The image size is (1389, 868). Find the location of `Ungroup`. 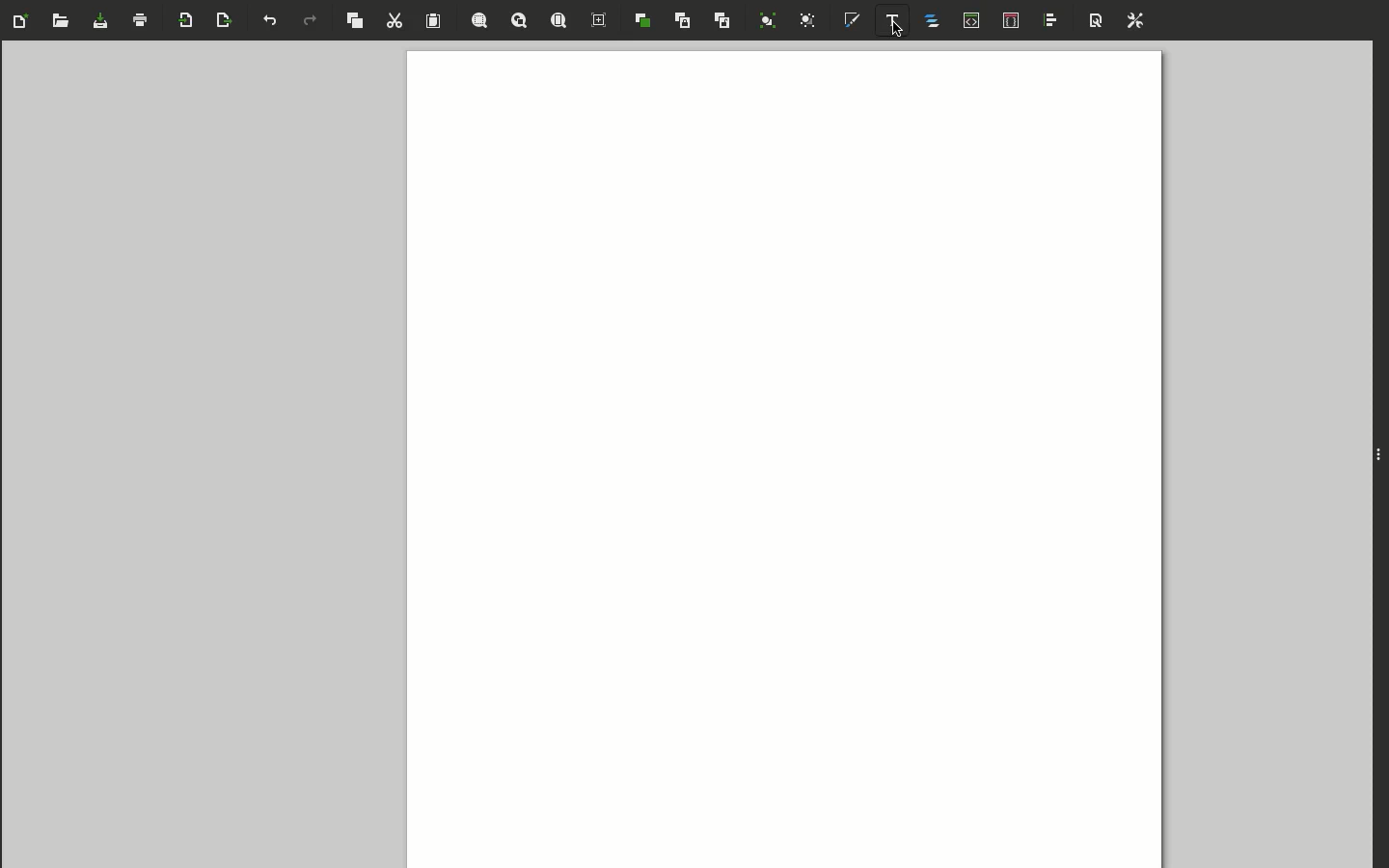

Ungroup is located at coordinates (808, 21).